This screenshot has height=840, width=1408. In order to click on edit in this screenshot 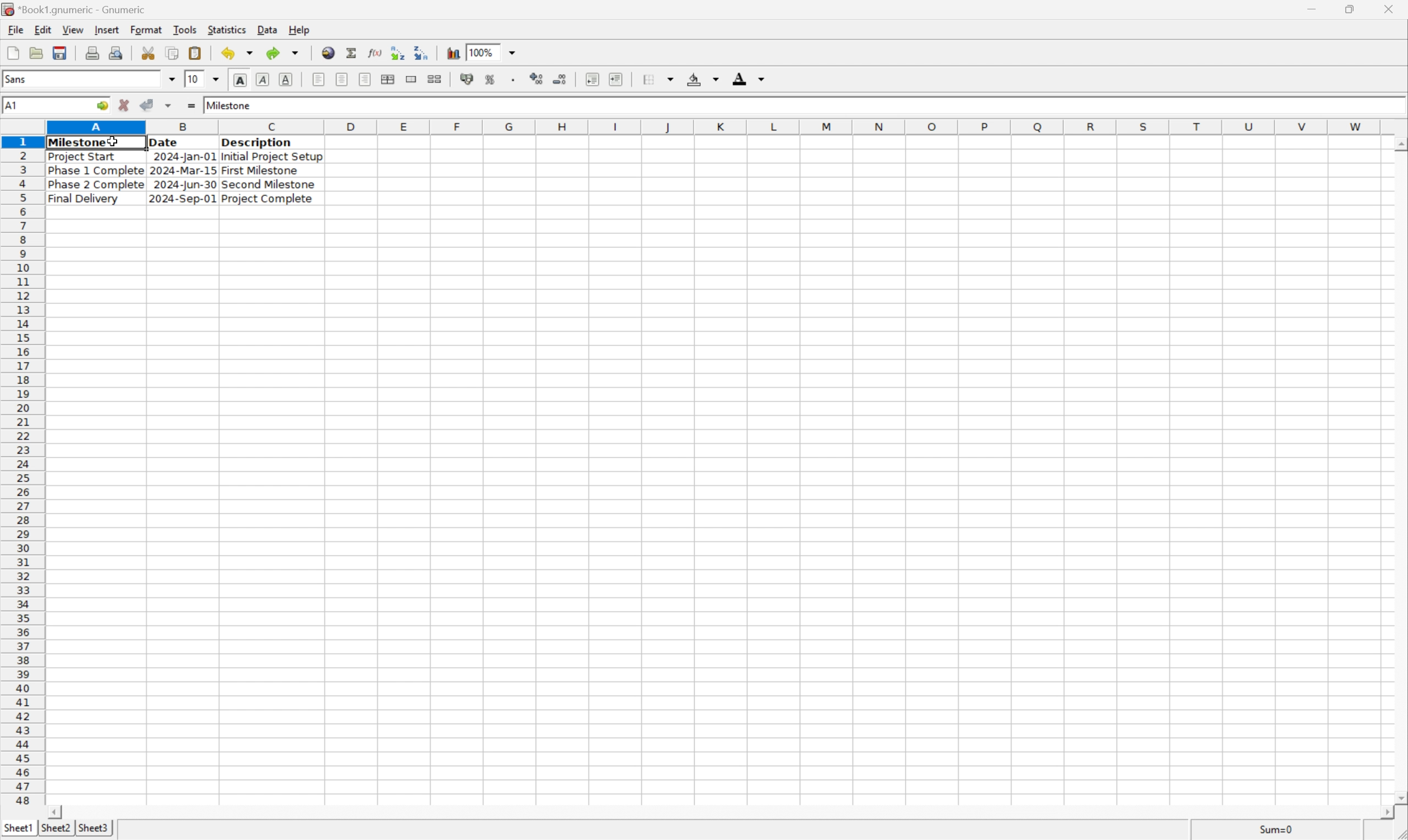, I will do `click(44, 29)`.